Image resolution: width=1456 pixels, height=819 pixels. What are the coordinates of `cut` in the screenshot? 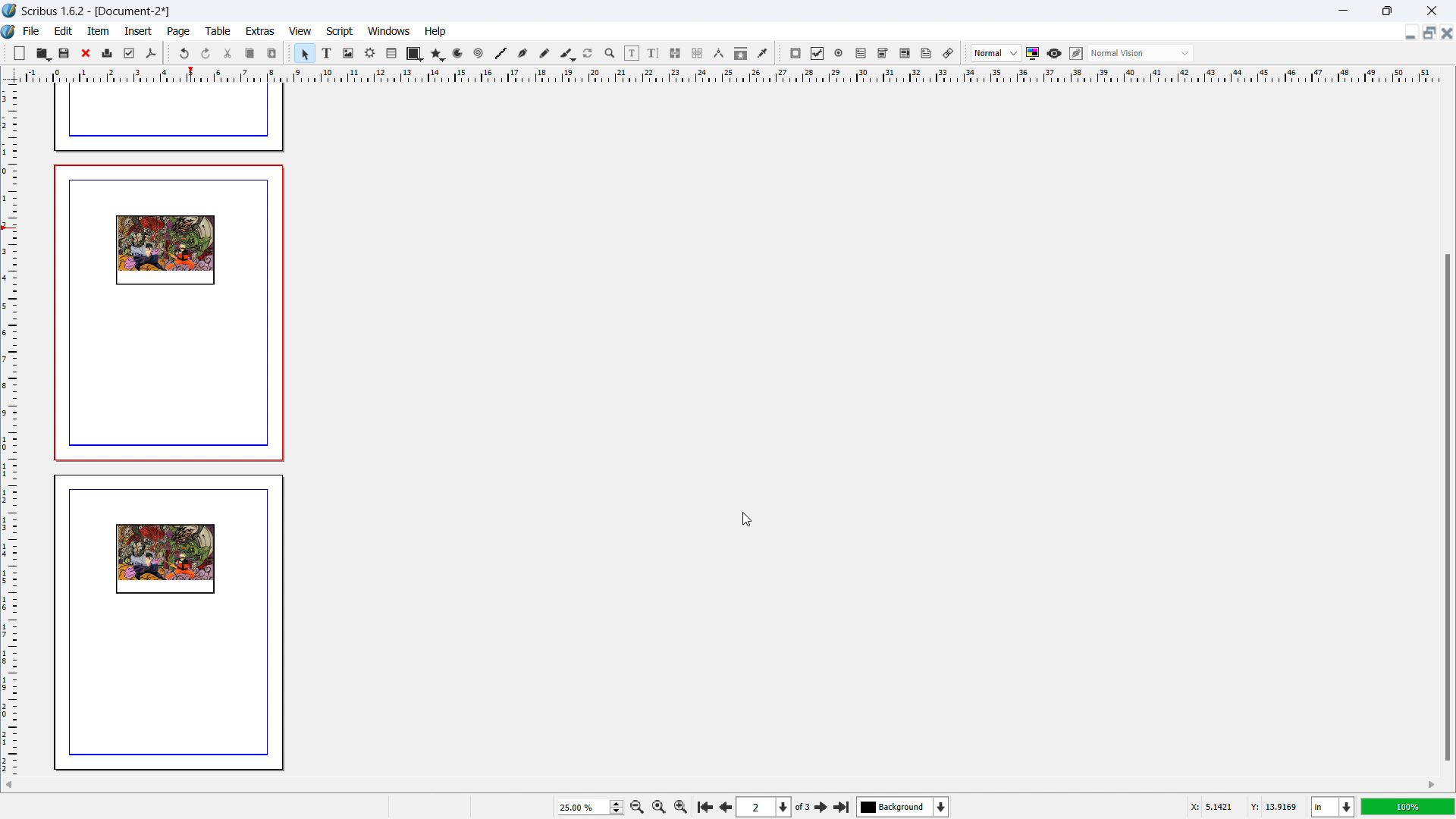 It's located at (229, 53).